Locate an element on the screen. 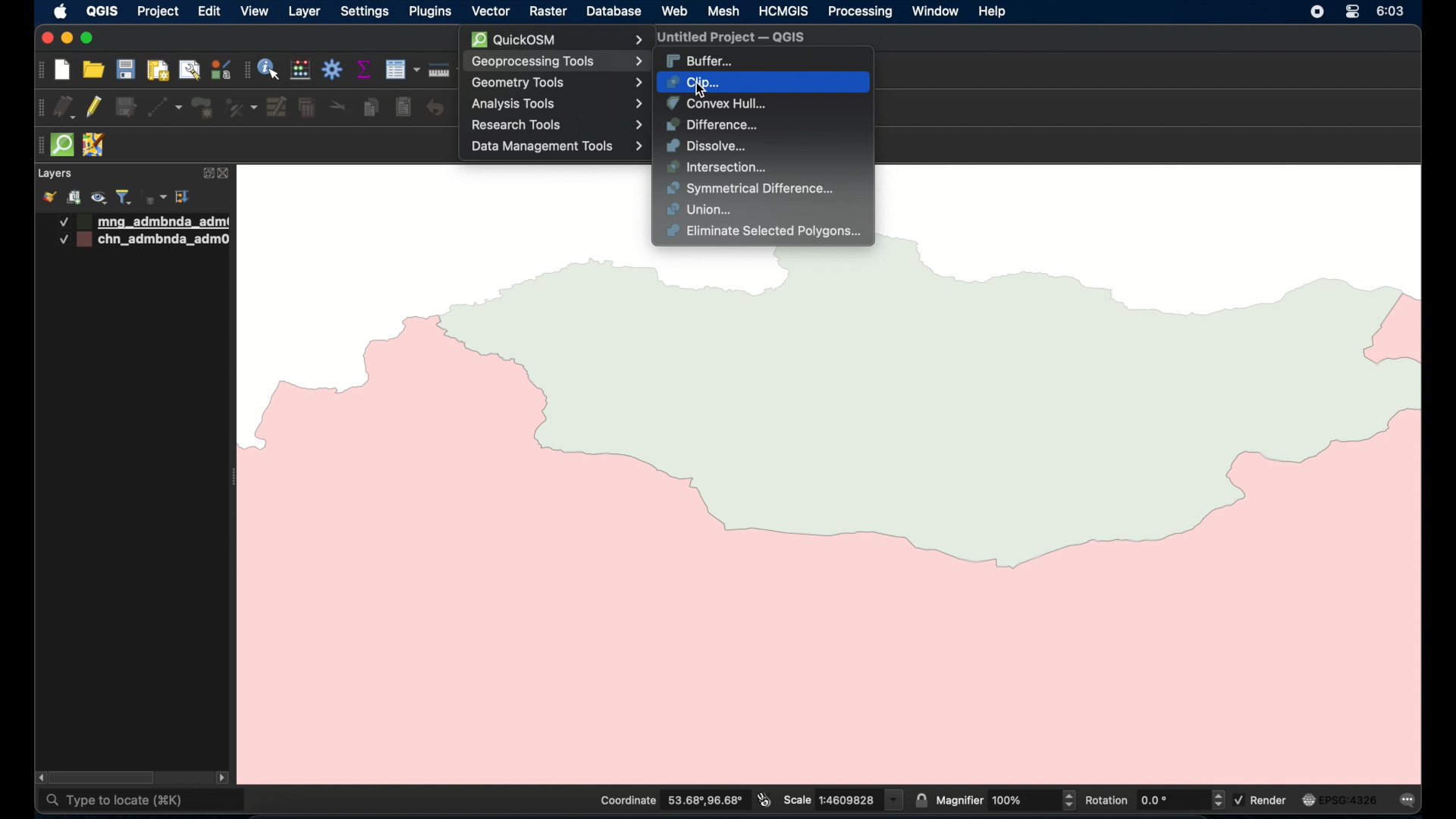 The width and height of the screenshot is (1456, 819). delete selected is located at coordinates (307, 108).